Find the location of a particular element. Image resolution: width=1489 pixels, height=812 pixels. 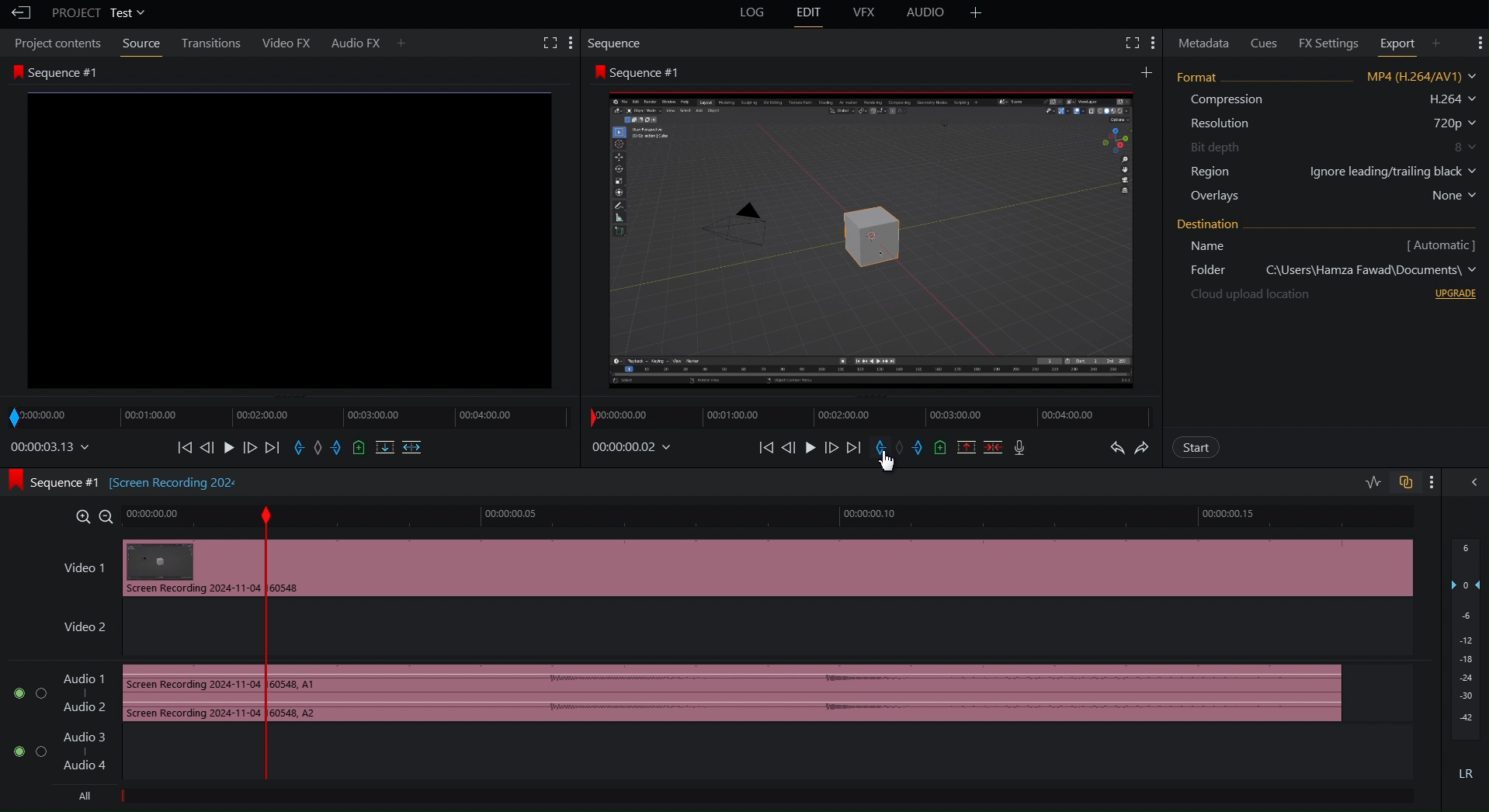

Sequence #1 is located at coordinates (286, 227).